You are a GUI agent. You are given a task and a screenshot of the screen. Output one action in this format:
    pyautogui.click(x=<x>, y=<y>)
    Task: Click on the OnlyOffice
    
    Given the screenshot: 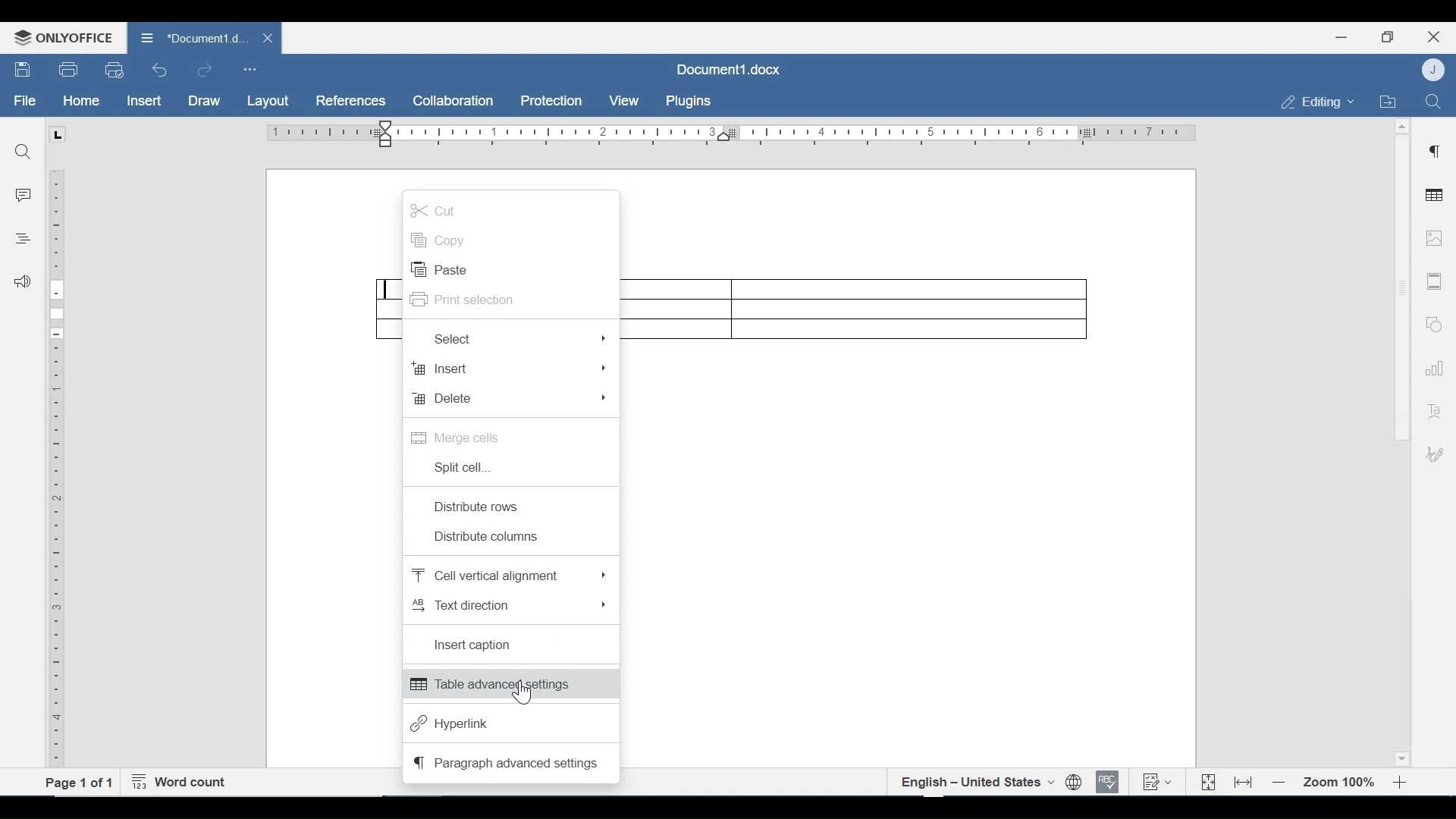 What is the action you would take?
    pyautogui.click(x=61, y=37)
    